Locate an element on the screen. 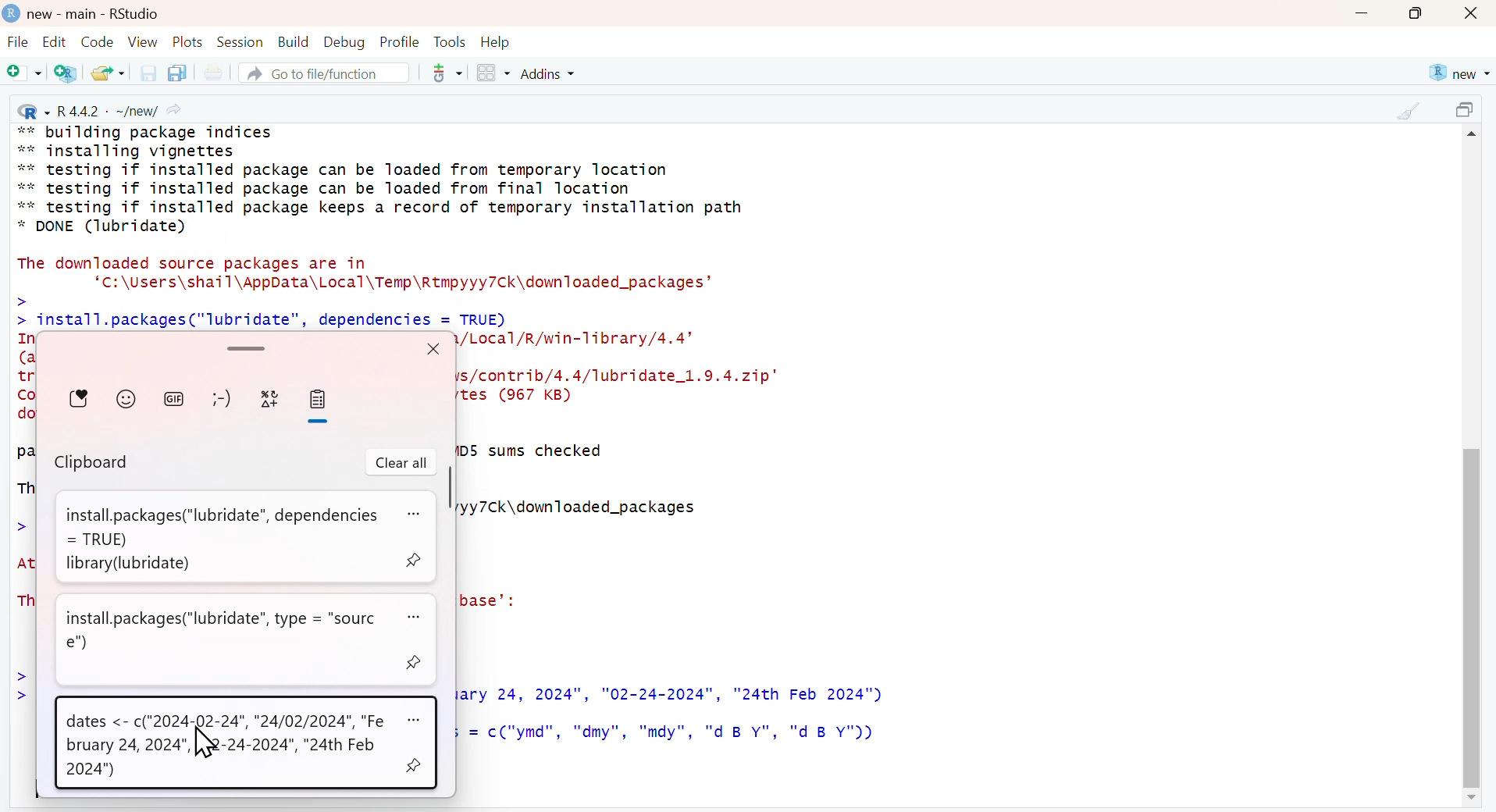 This screenshot has width=1496, height=812. more options is located at coordinates (420, 618).